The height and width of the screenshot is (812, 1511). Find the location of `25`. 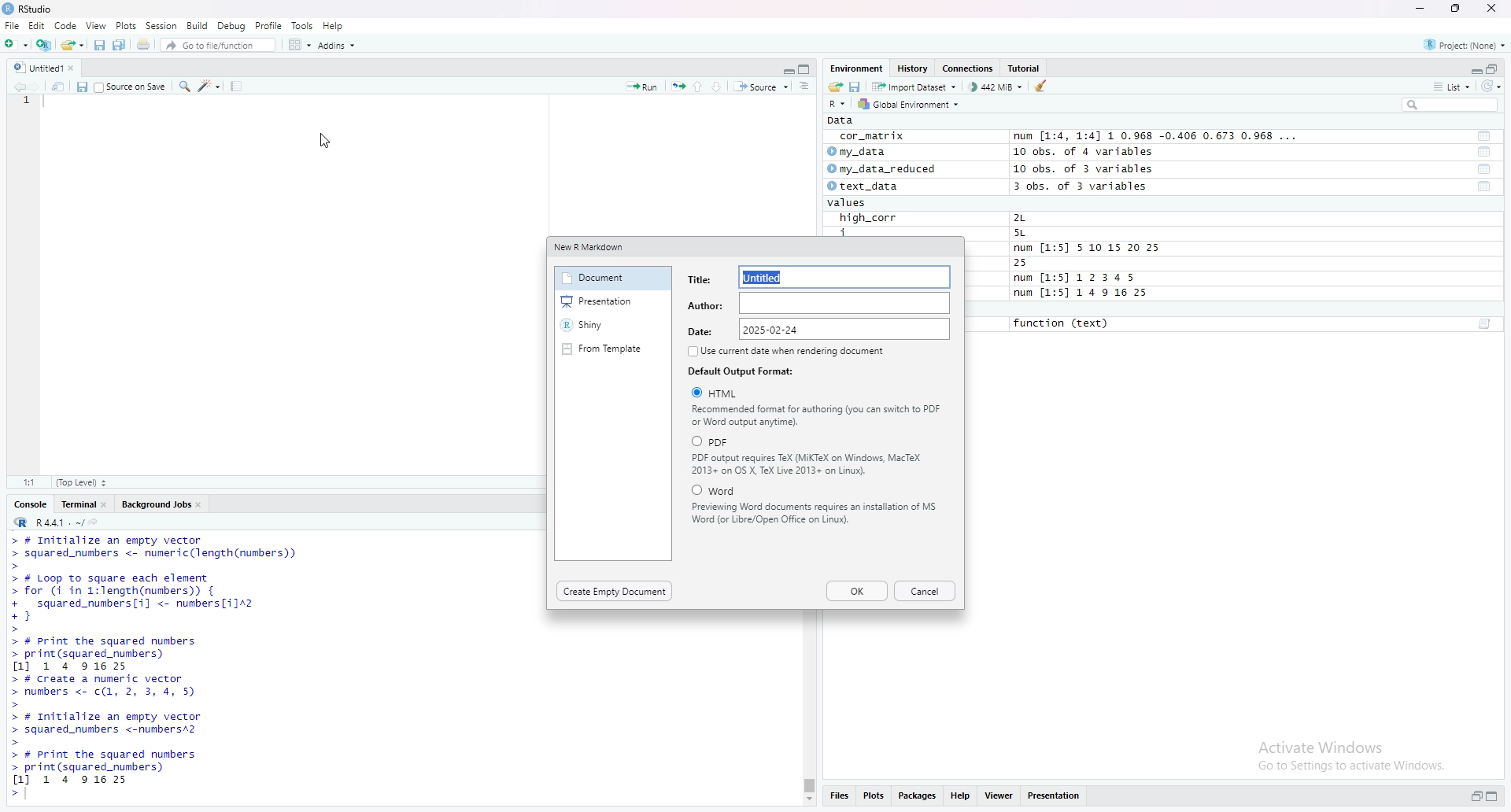

25 is located at coordinates (1037, 263).